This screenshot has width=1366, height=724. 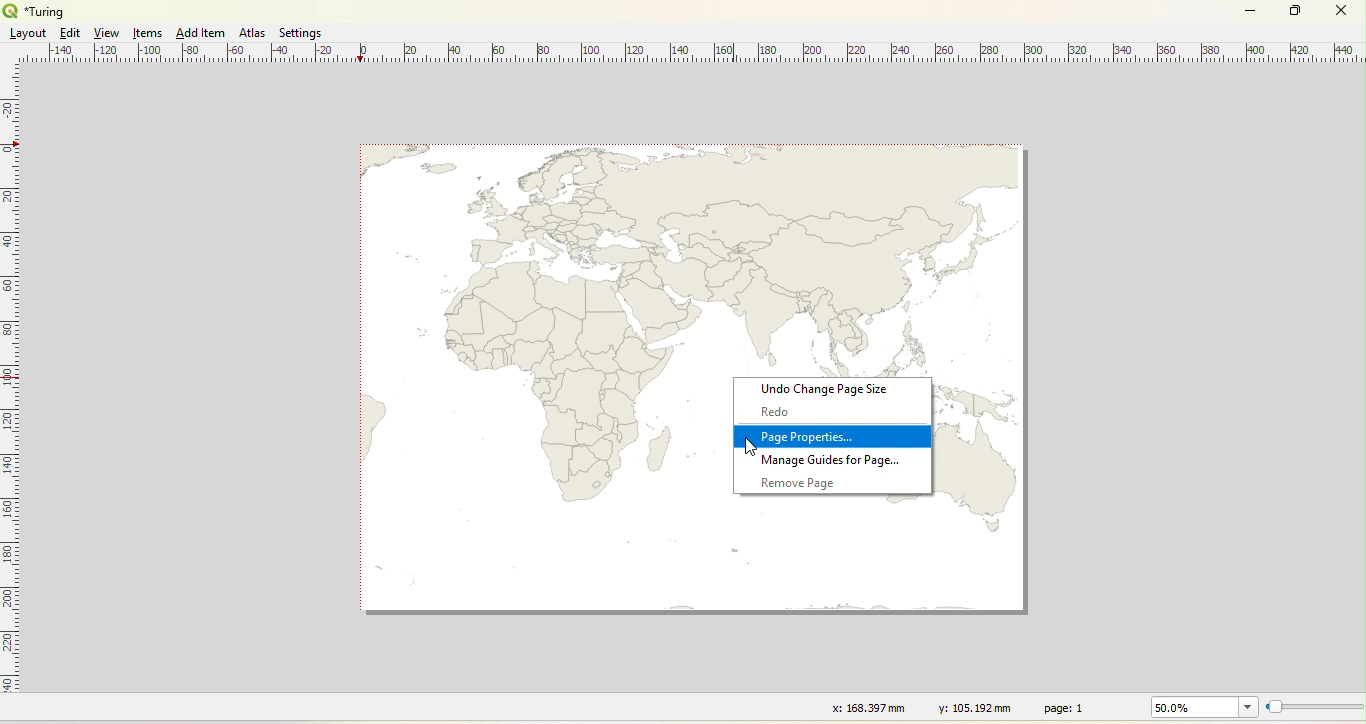 I want to click on Close, so click(x=1340, y=13).